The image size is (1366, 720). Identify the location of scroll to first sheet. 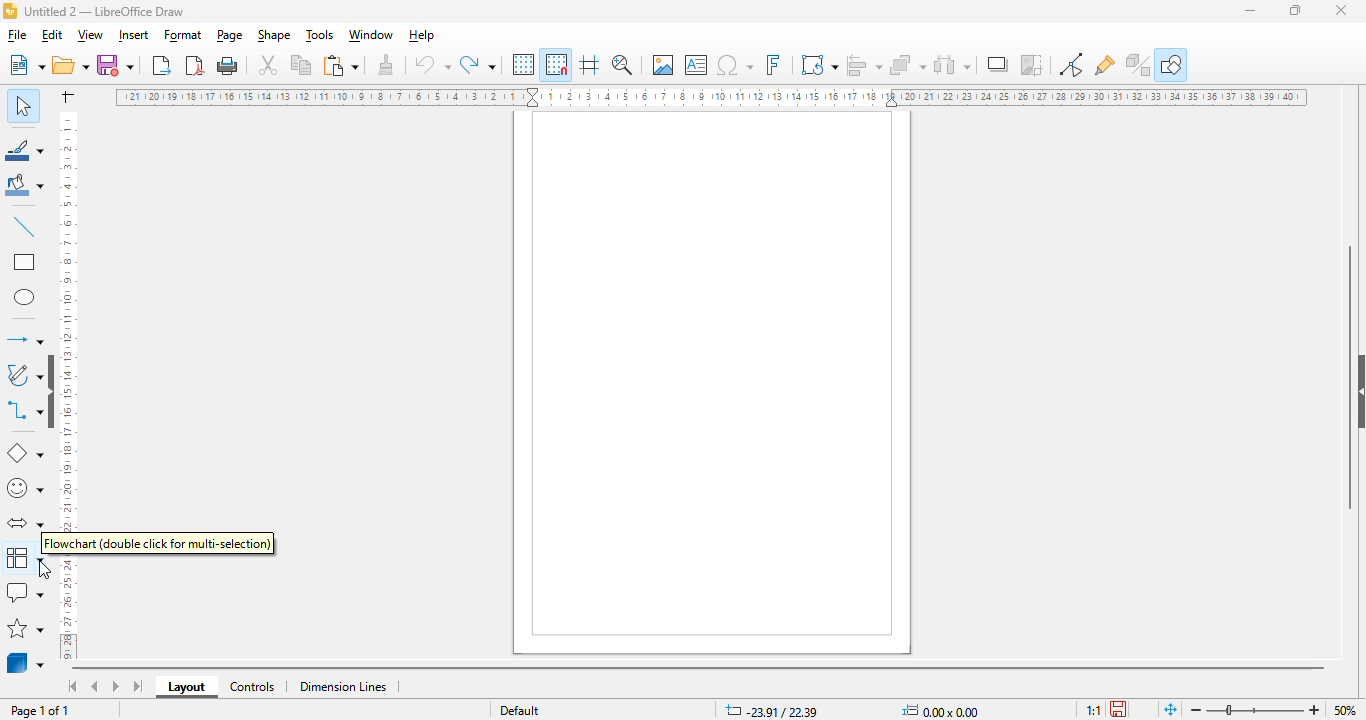
(73, 685).